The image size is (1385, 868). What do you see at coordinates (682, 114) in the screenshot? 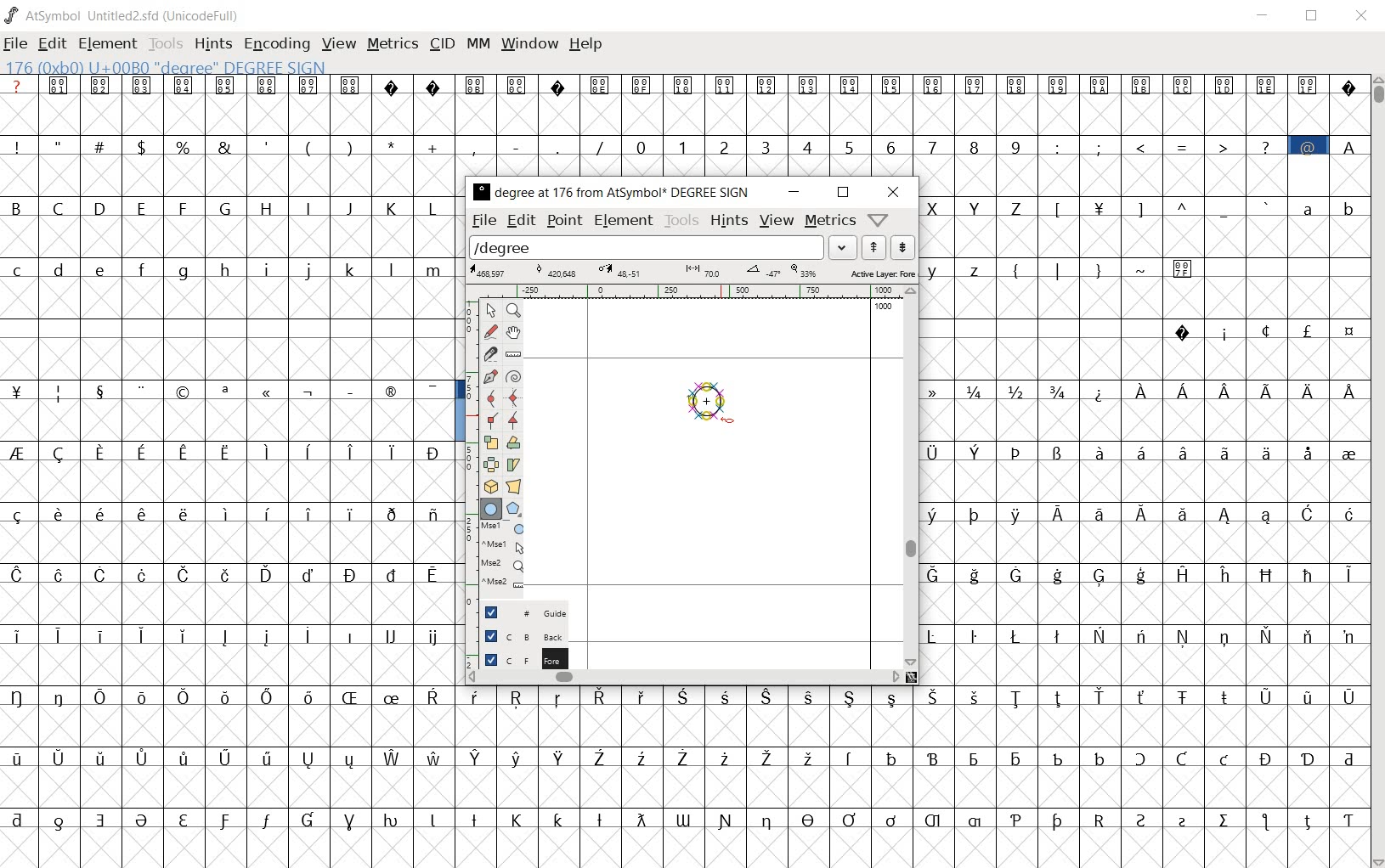
I see `empty glyph slots` at bounding box center [682, 114].